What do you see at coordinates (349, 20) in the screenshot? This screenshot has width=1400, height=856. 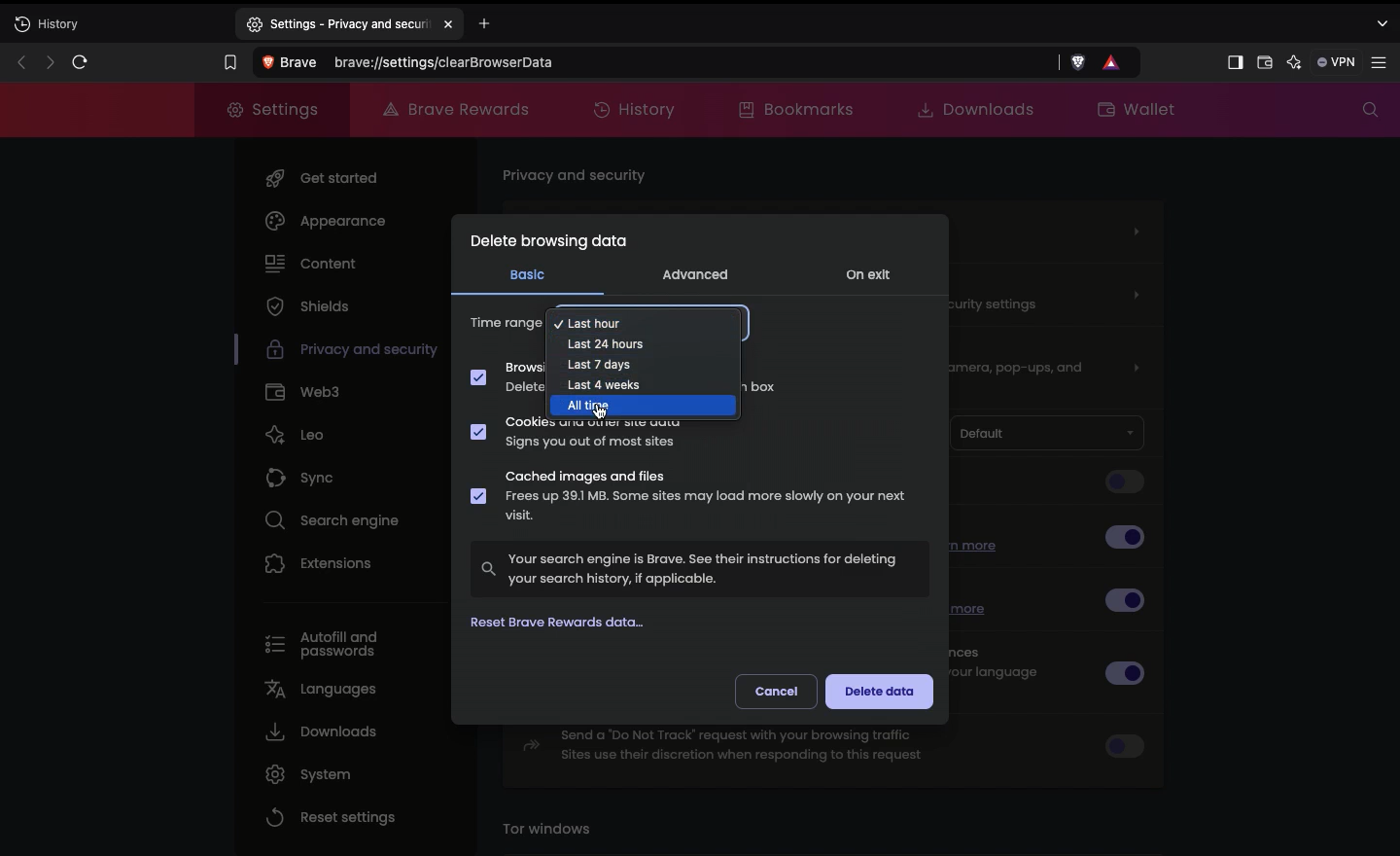 I see `settings-privacy and security` at bounding box center [349, 20].